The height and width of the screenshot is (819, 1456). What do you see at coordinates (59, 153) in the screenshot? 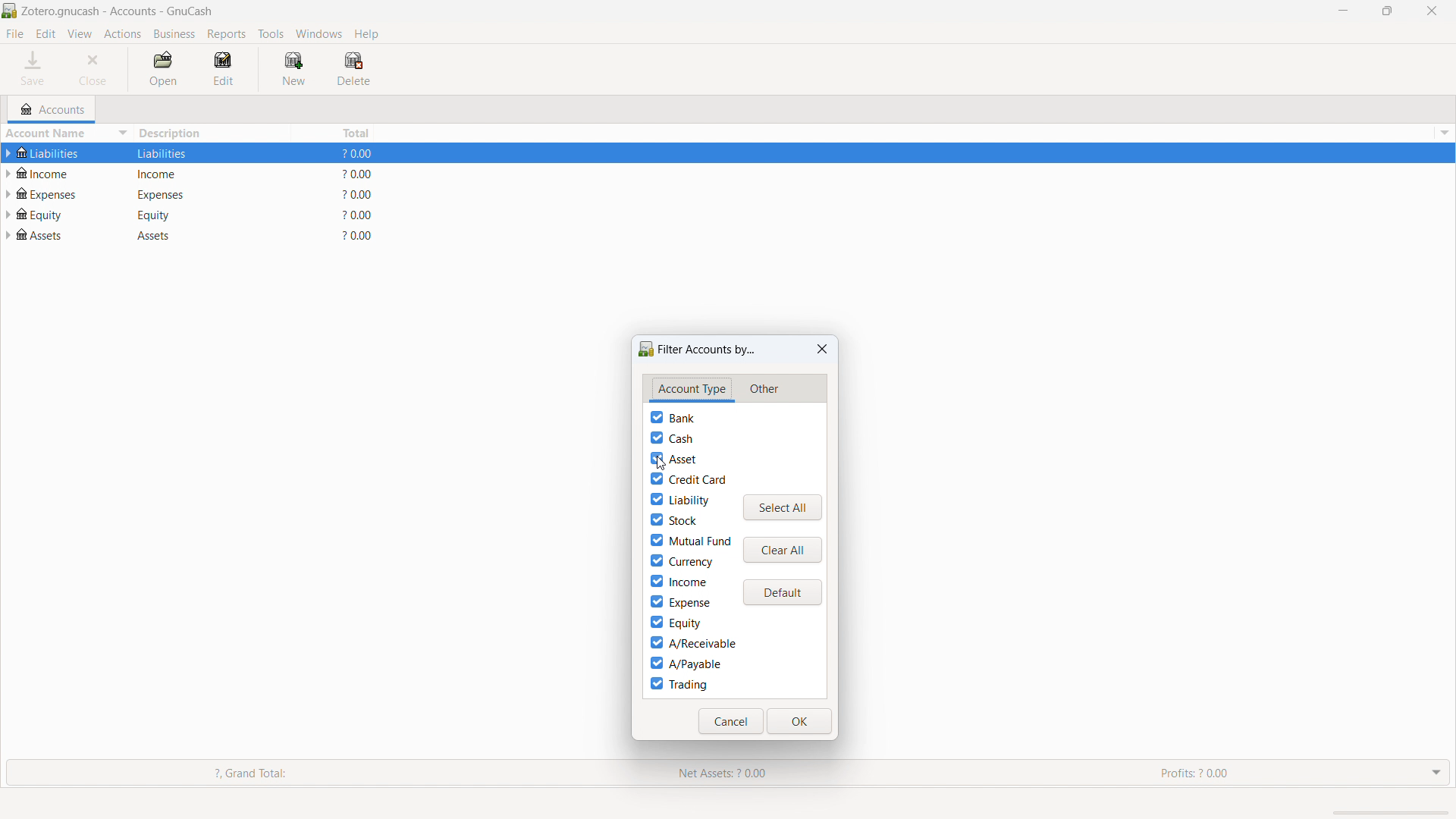
I see `Liabilities` at bounding box center [59, 153].